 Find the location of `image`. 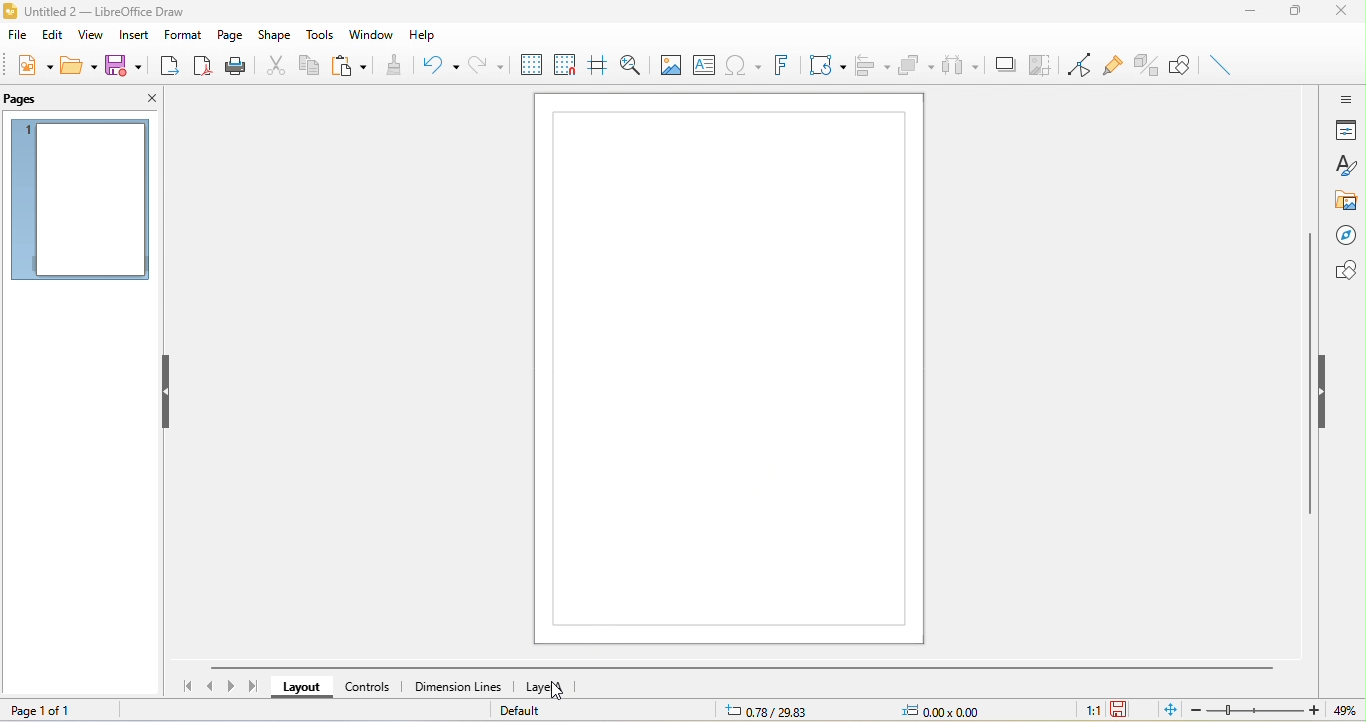

image is located at coordinates (670, 66).